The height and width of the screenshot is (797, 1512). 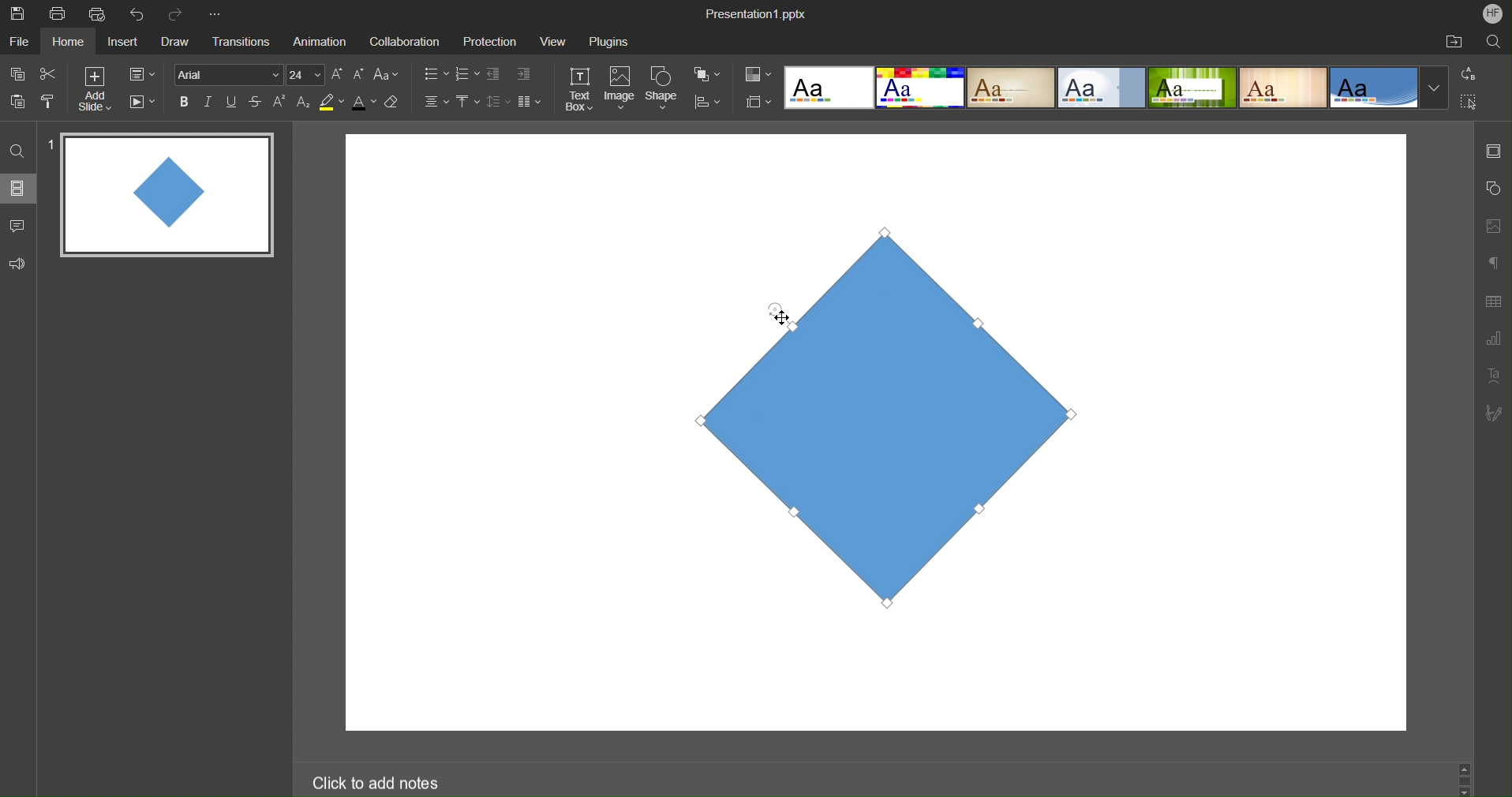 I want to click on Signature, so click(x=1495, y=413).